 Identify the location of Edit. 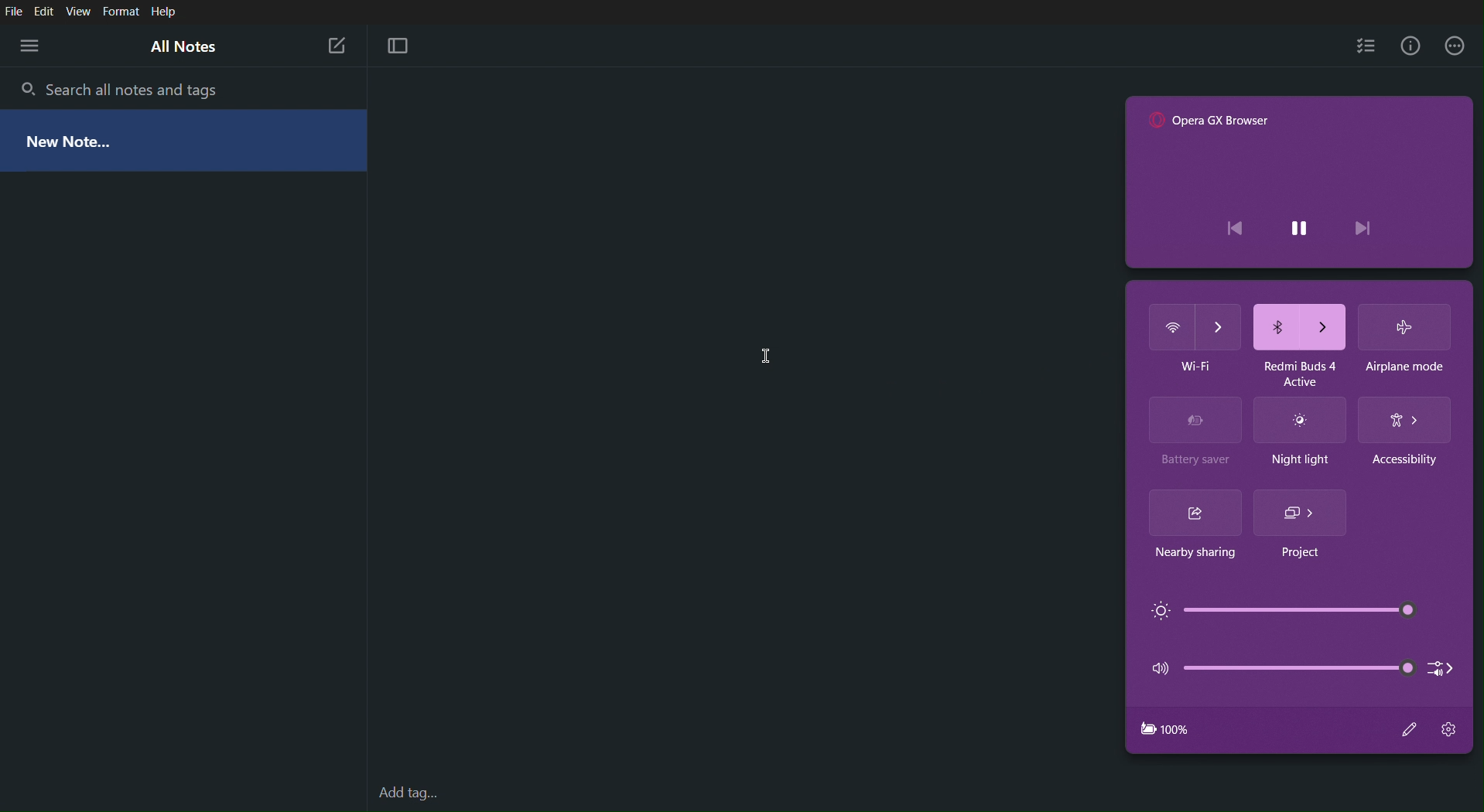
(1410, 730).